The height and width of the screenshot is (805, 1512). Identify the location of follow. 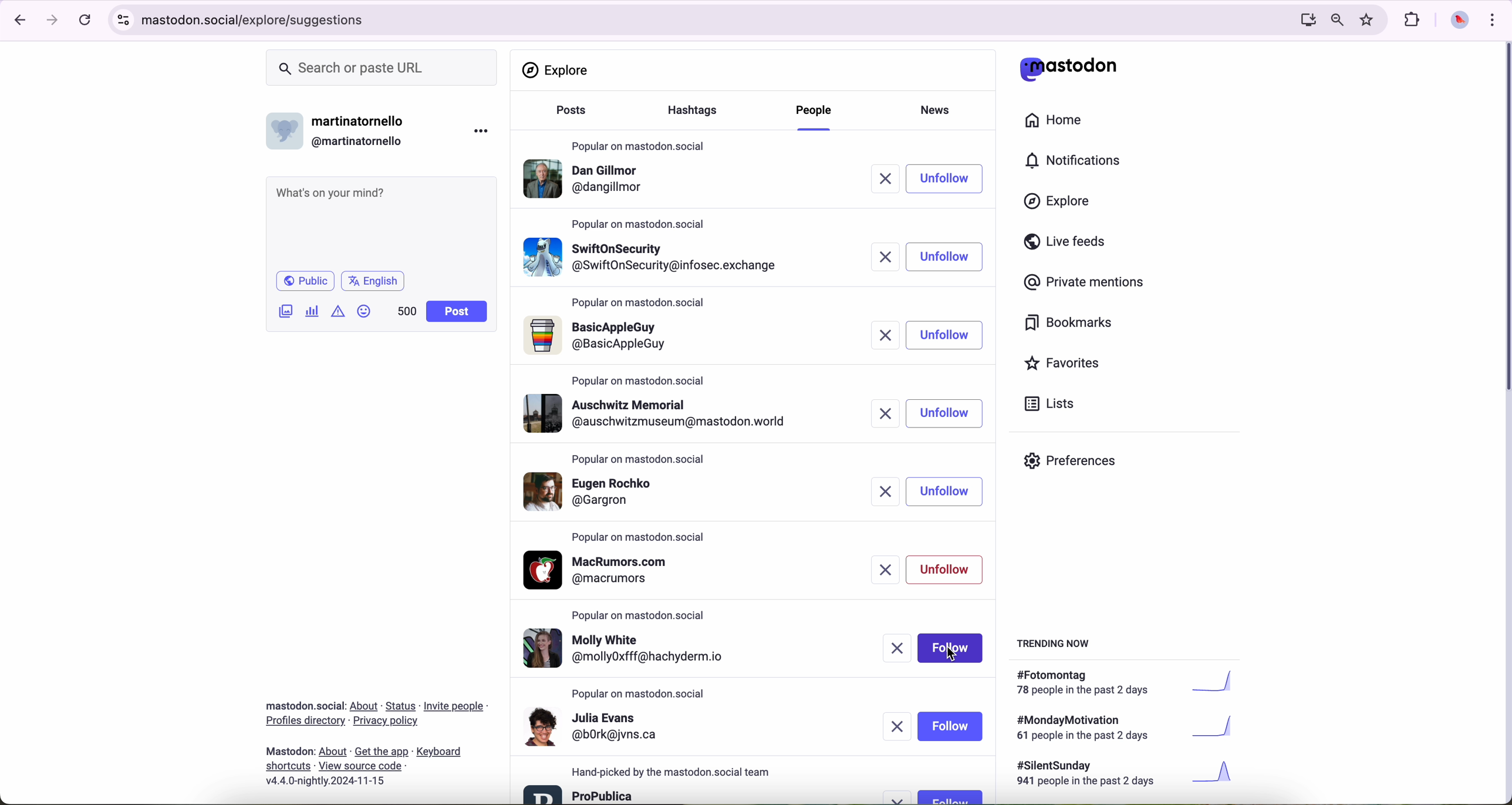
(950, 257).